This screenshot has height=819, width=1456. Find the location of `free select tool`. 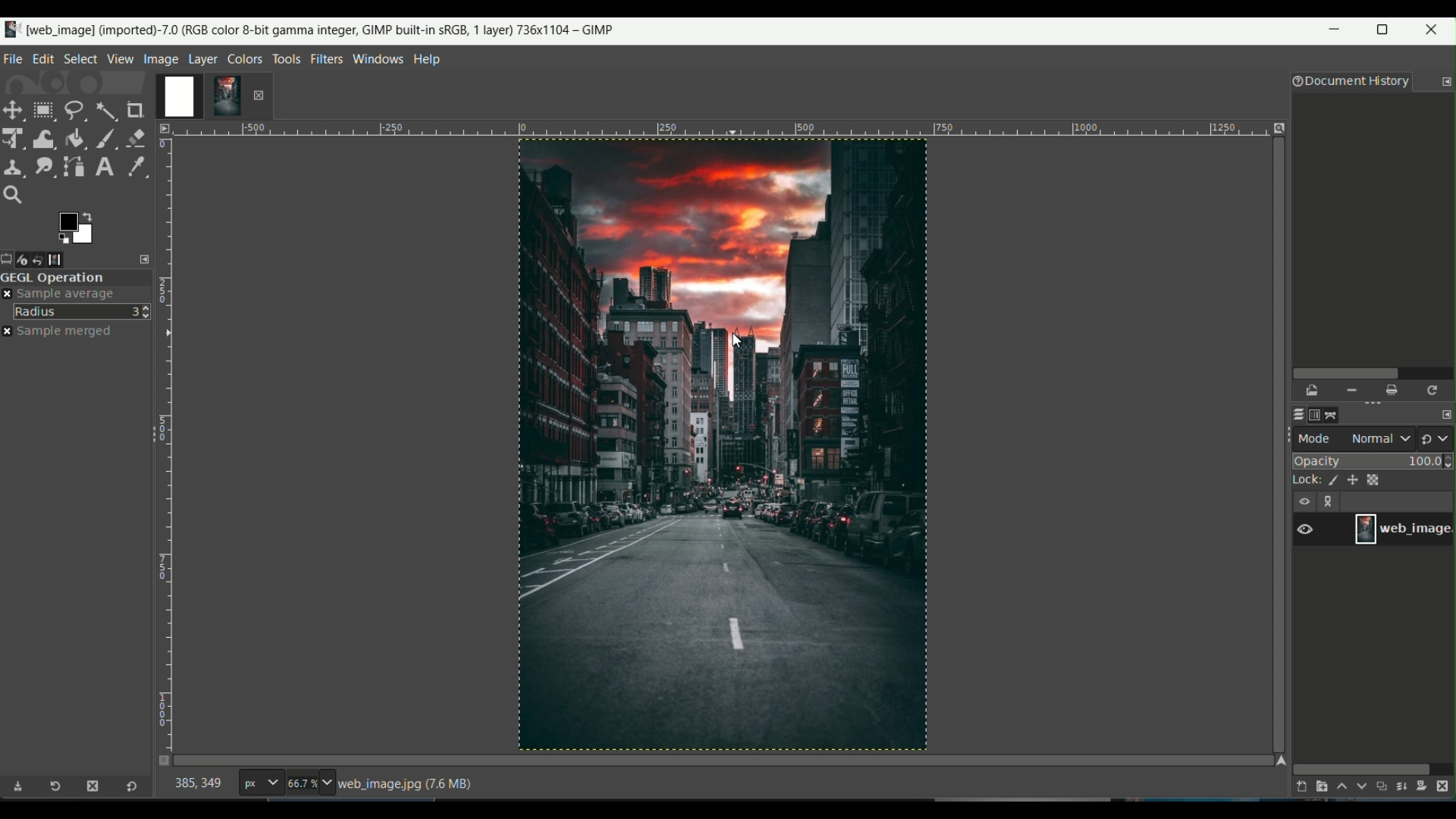

free select tool is located at coordinates (74, 108).